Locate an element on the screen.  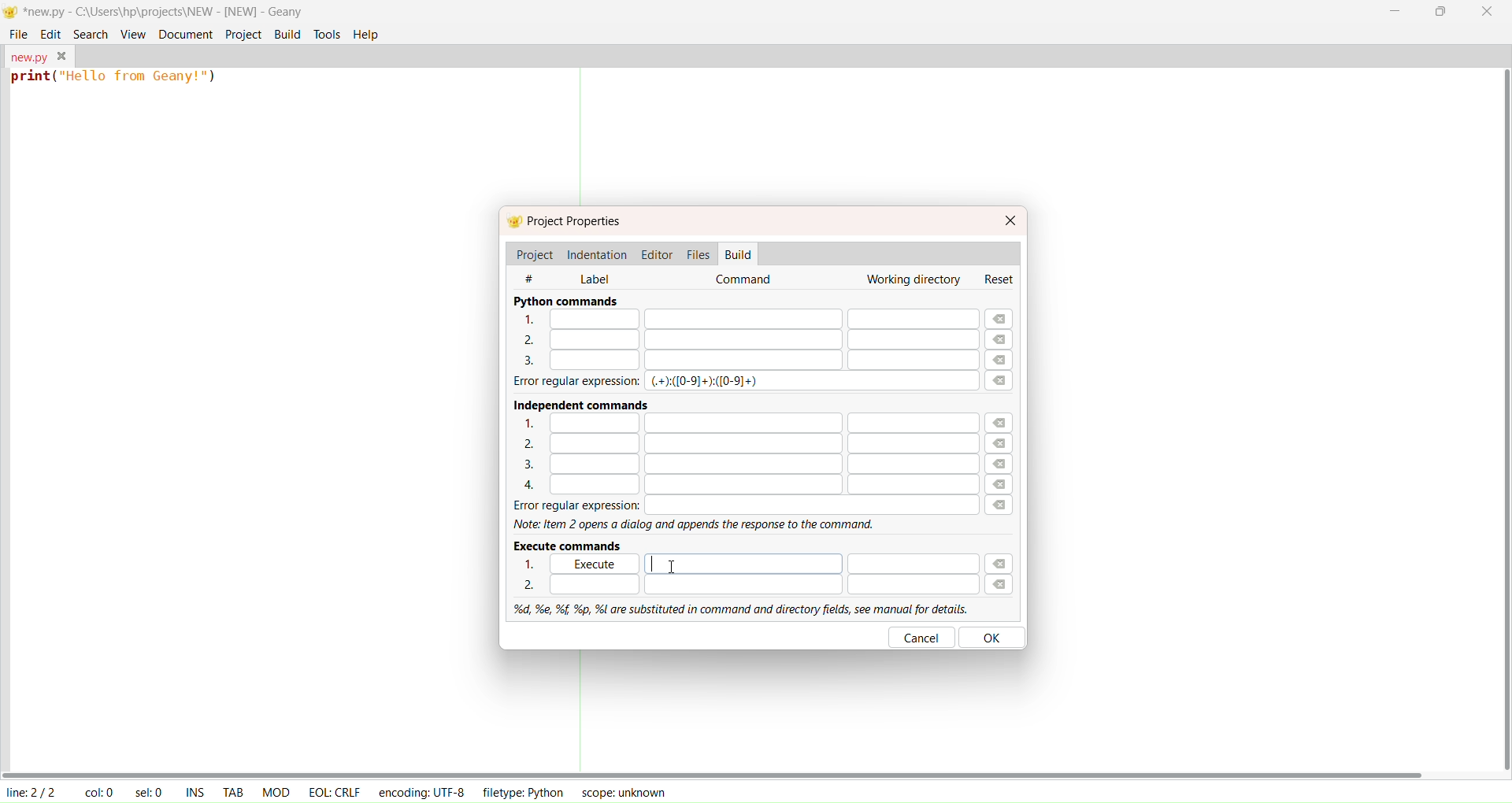
edit is located at coordinates (51, 33).